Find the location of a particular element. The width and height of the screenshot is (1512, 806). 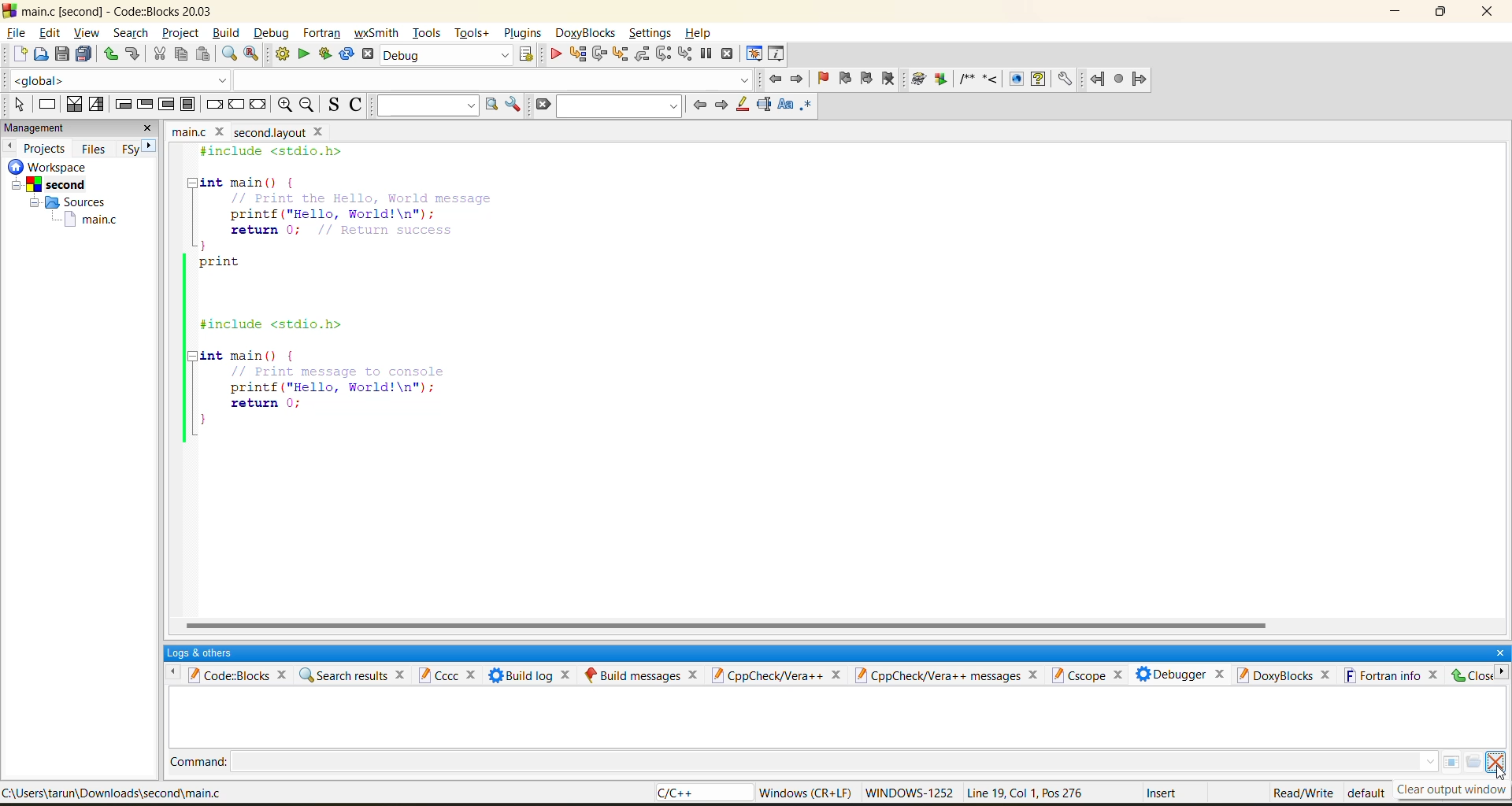

entry condition loop is located at coordinates (124, 105).